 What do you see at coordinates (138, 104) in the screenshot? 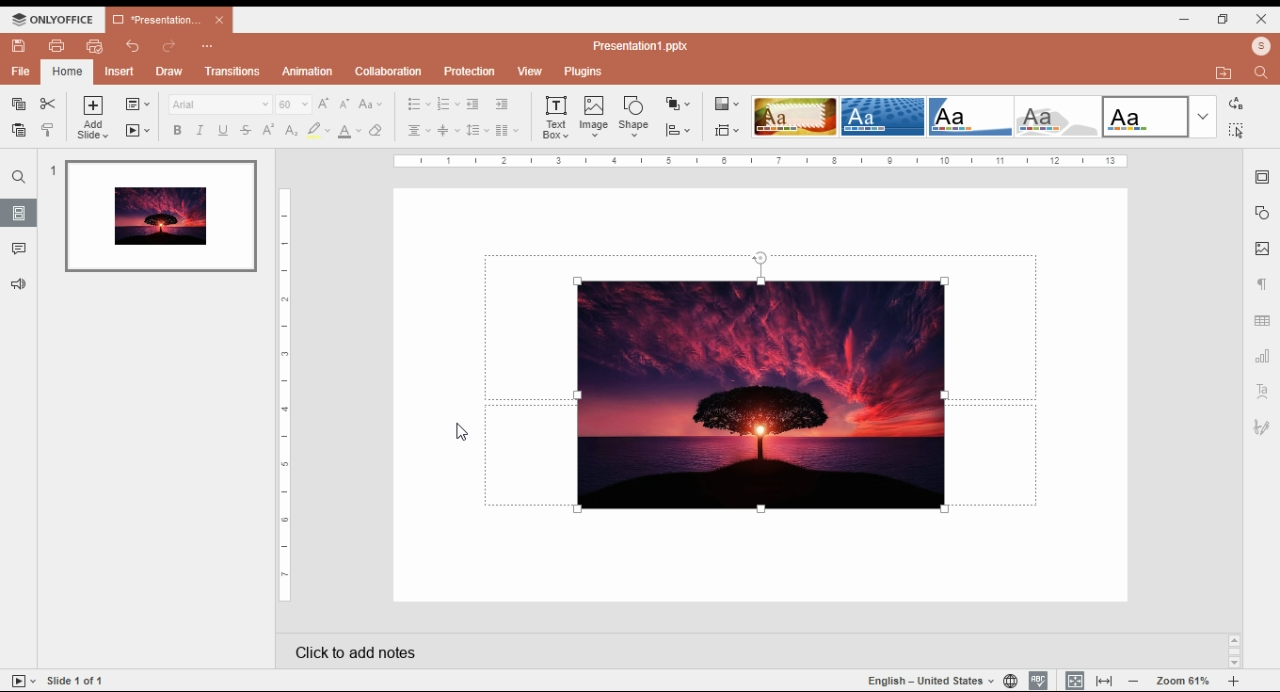
I see `change slide layout` at bounding box center [138, 104].